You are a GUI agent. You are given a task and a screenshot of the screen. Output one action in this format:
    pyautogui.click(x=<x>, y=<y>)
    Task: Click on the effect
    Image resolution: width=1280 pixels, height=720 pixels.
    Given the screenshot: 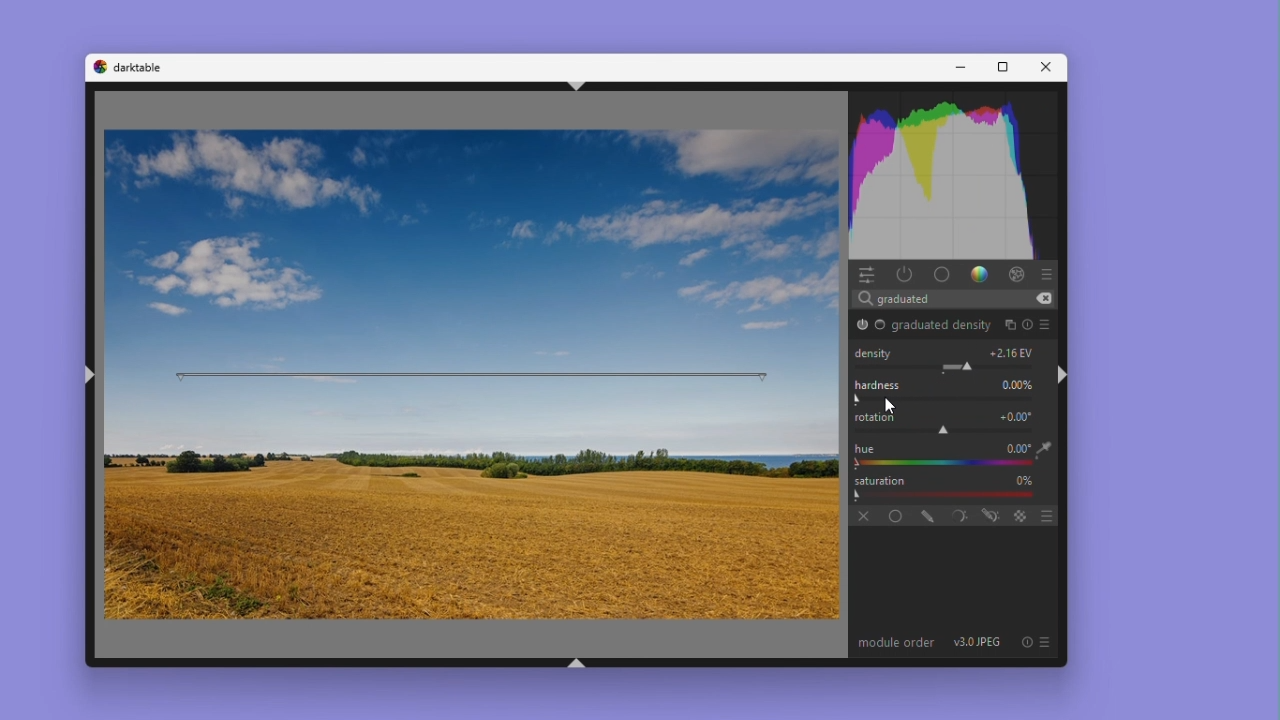 What is the action you would take?
    pyautogui.click(x=1016, y=273)
    